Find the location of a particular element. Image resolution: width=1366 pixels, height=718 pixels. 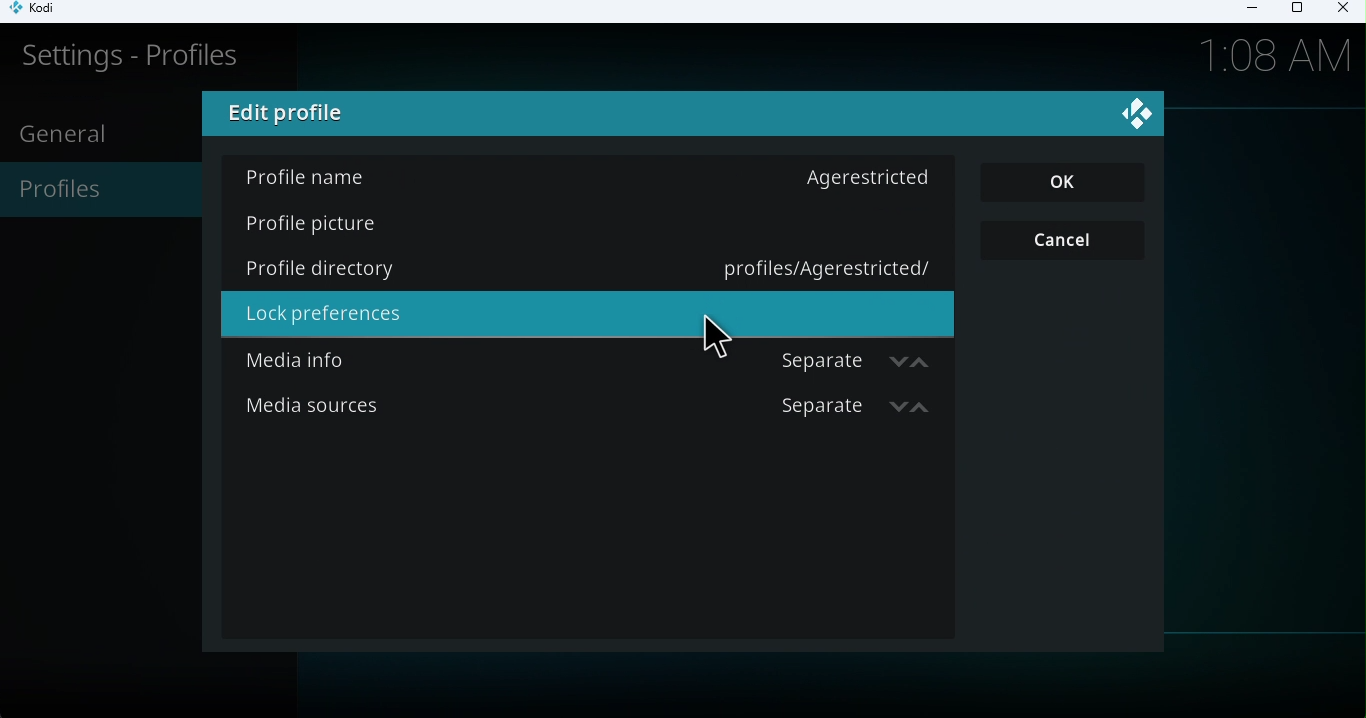

Cancel is located at coordinates (1066, 241).